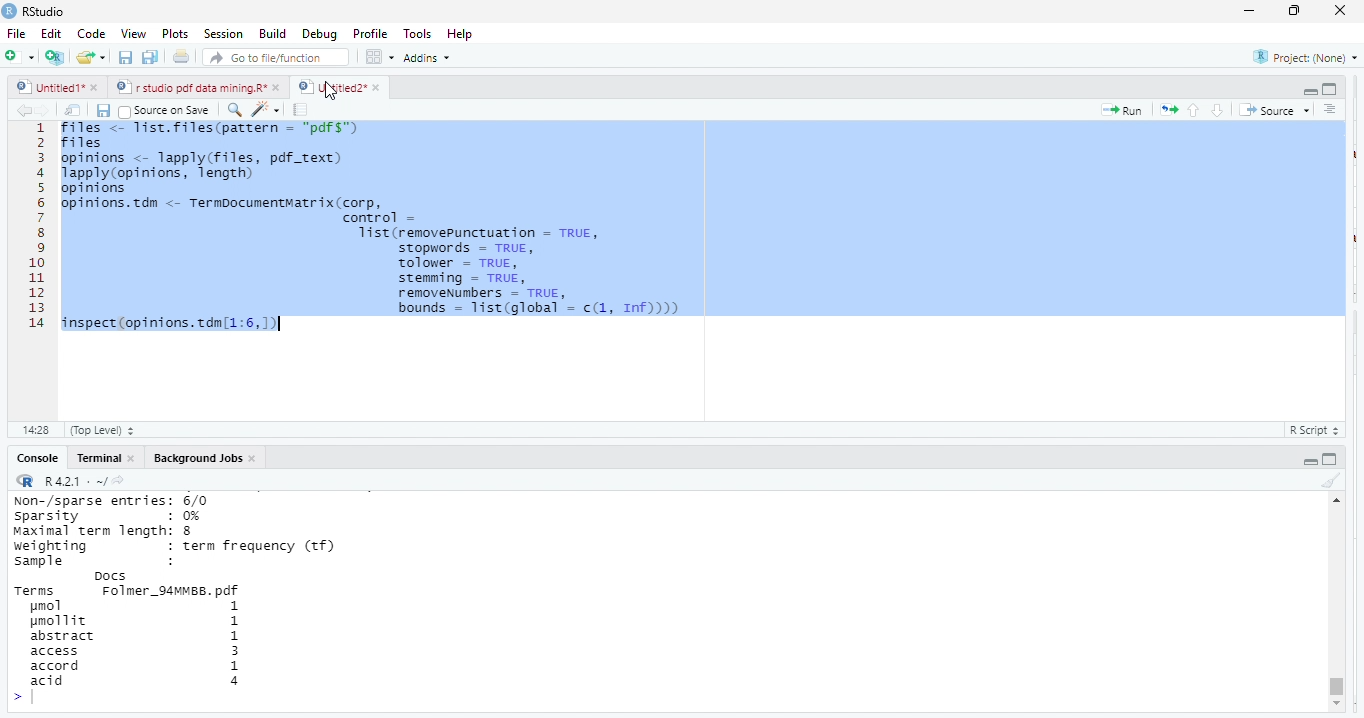  What do you see at coordinates (272, 56) in the screenshot?
I see `go to file /function` at bounding box center [272, 56].